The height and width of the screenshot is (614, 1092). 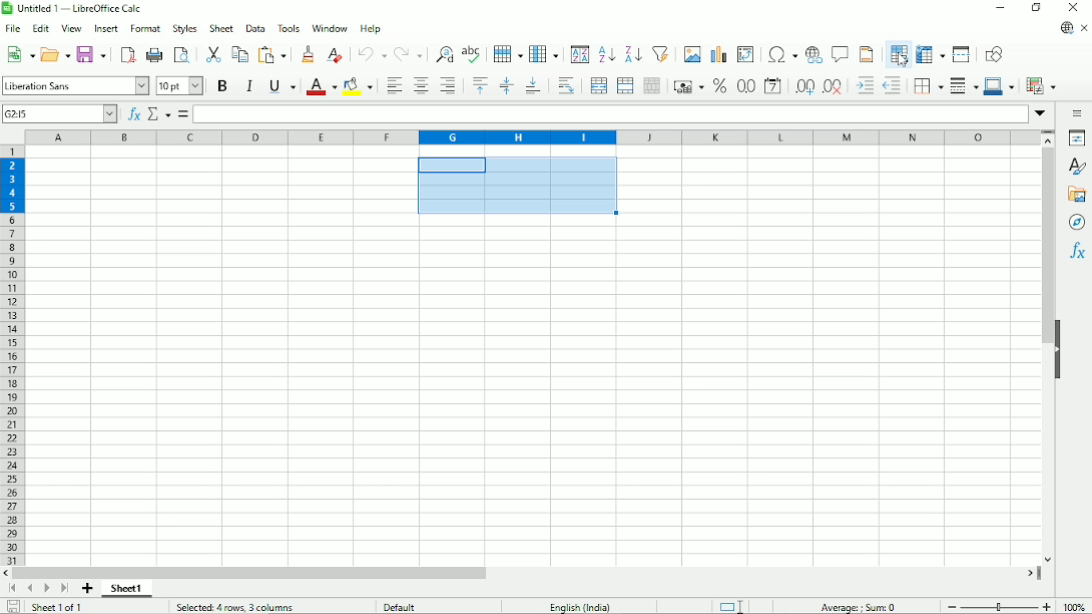 I want to click on Clear direct formatting, so click(x=335, y=56).